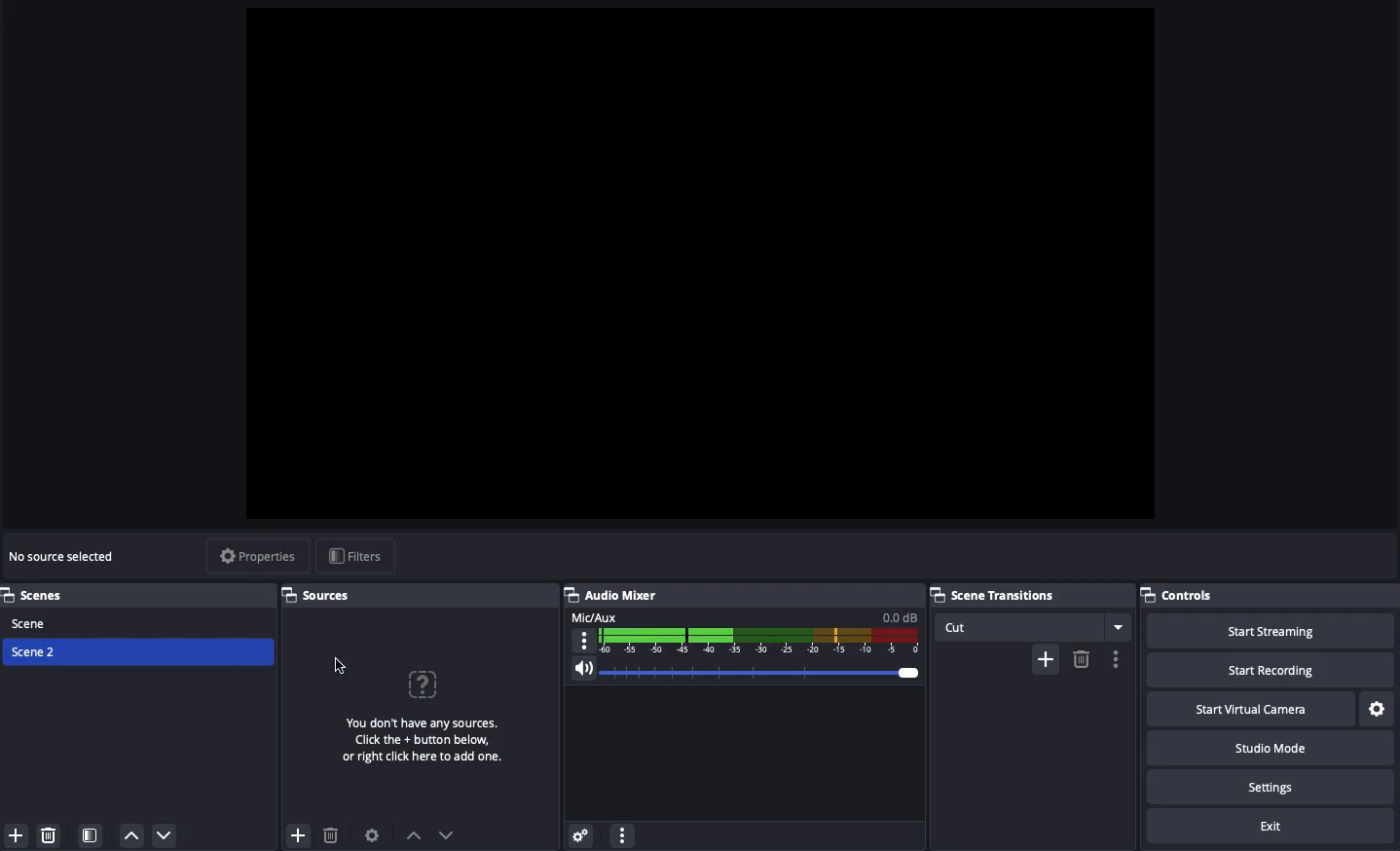 This screenshot has width=1400, height=851. What do you see at coordinates (133, 836) in the screenshot?
I see `Move up` at bounding box center [133, 836].